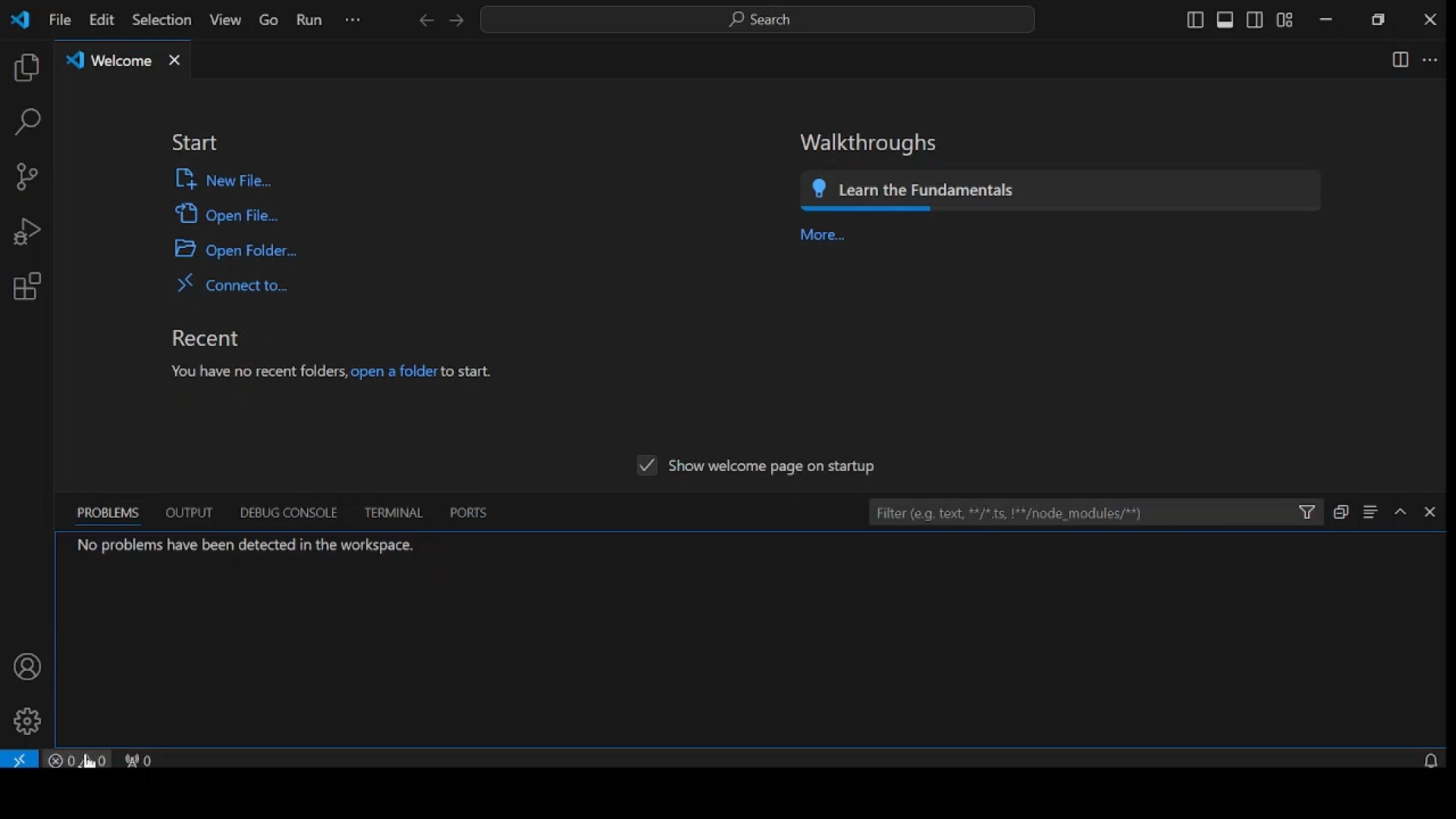  Describe the element at coordinates (1255, 20) in the screenshot. I see `toggle secondary sidebar` at that location.